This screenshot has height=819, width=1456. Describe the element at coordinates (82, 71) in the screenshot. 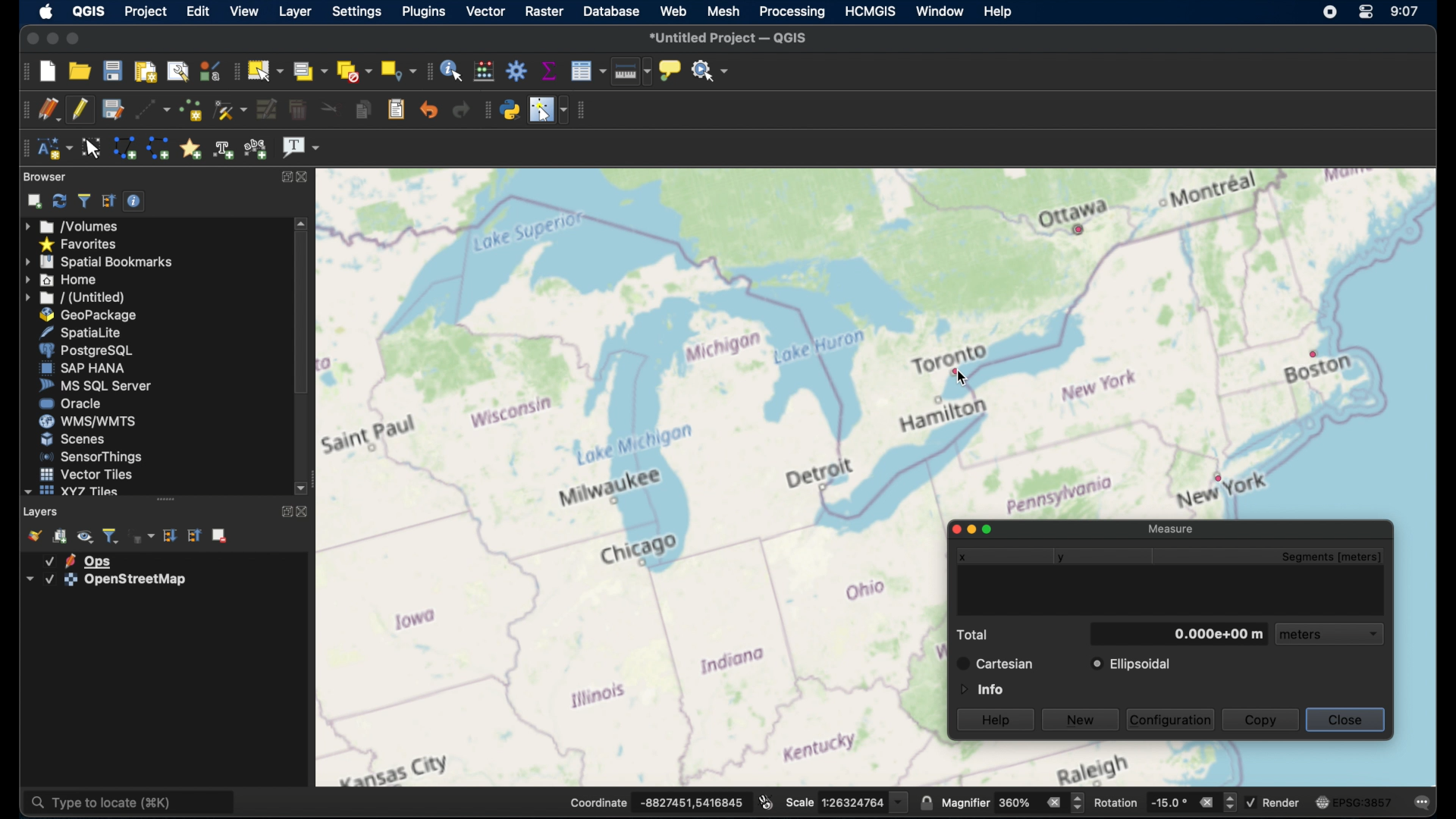

I see `open project` at that location.